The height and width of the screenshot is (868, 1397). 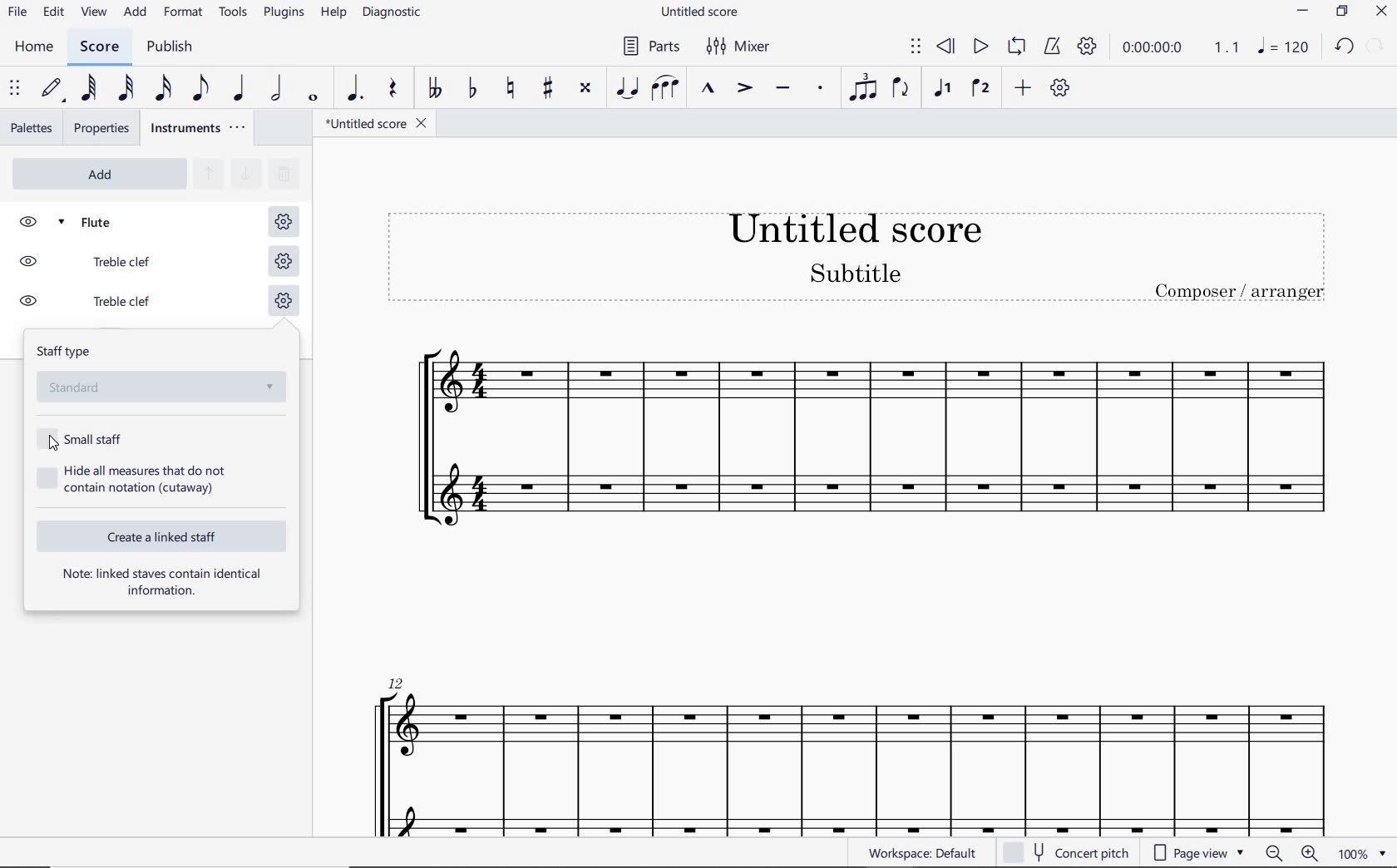 I want to click on Title, so click(x=858, y=257).